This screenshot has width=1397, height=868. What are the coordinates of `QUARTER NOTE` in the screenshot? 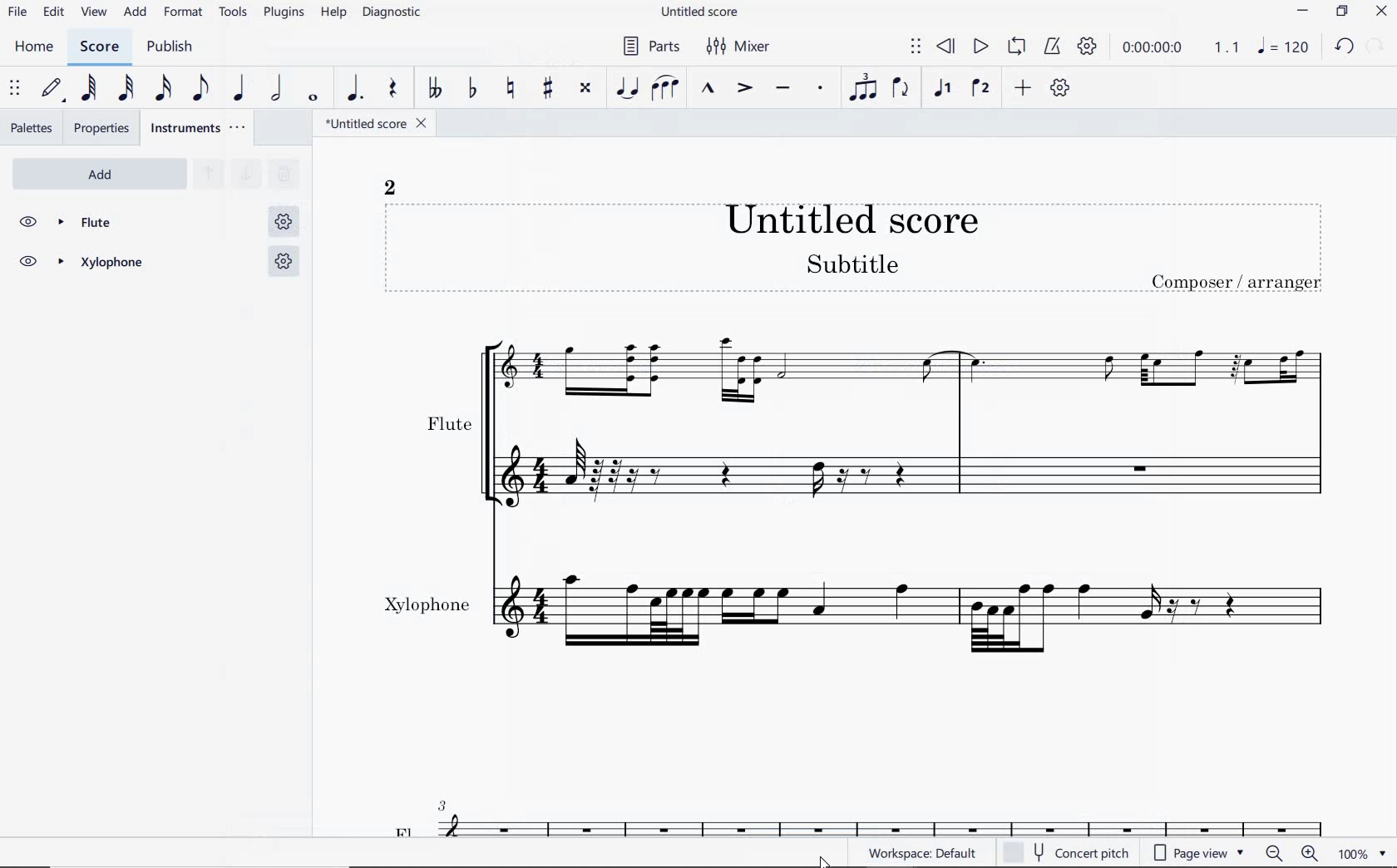 It's located at (239, 86).